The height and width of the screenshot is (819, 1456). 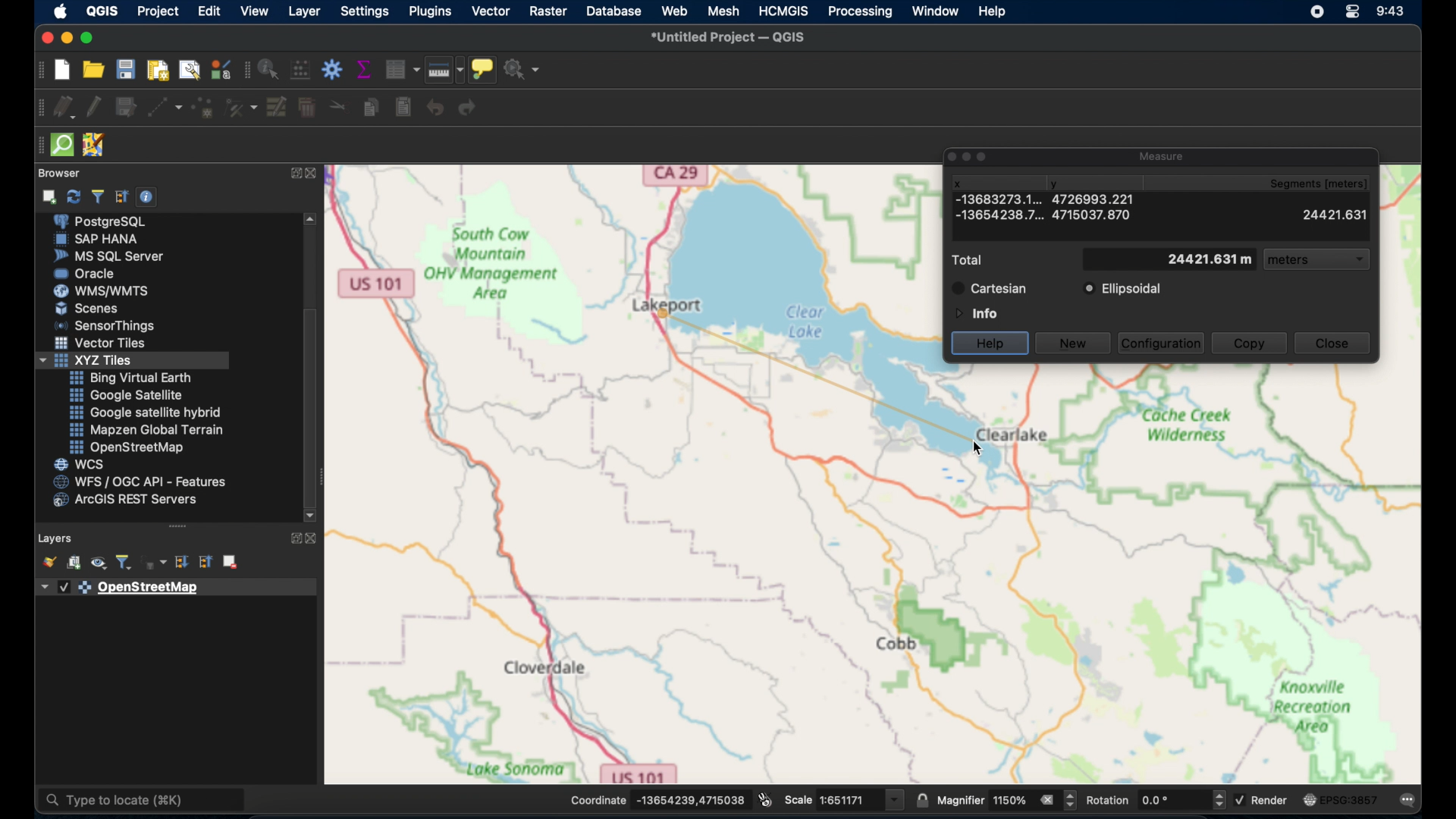 What do you see at coordinates (293, 174) in the screenshot?
I see `expand` at bounding box center [293, 174].